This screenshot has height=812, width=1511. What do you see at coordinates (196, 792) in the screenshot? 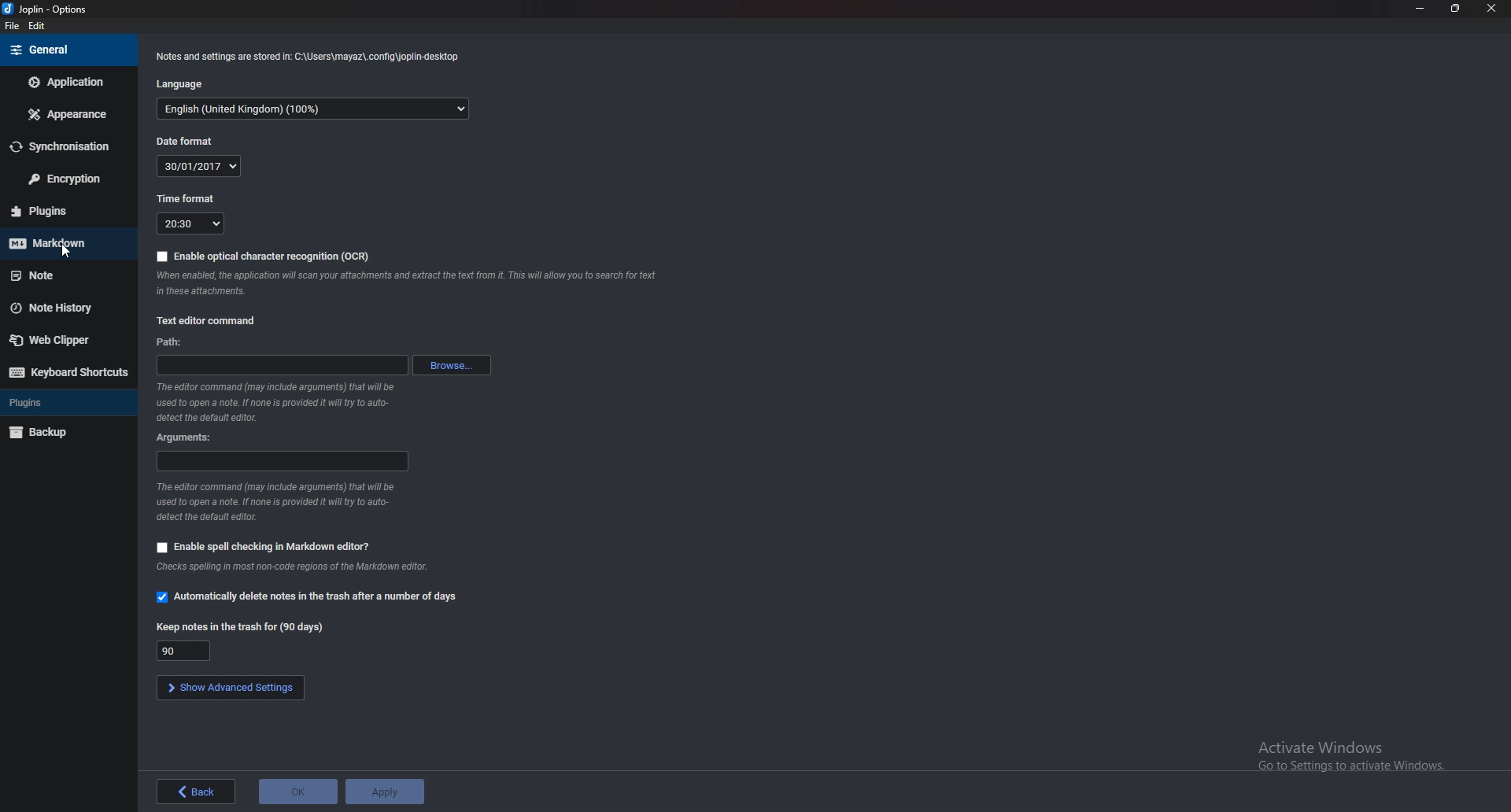
I see `back` at bounding box center [196, 792].